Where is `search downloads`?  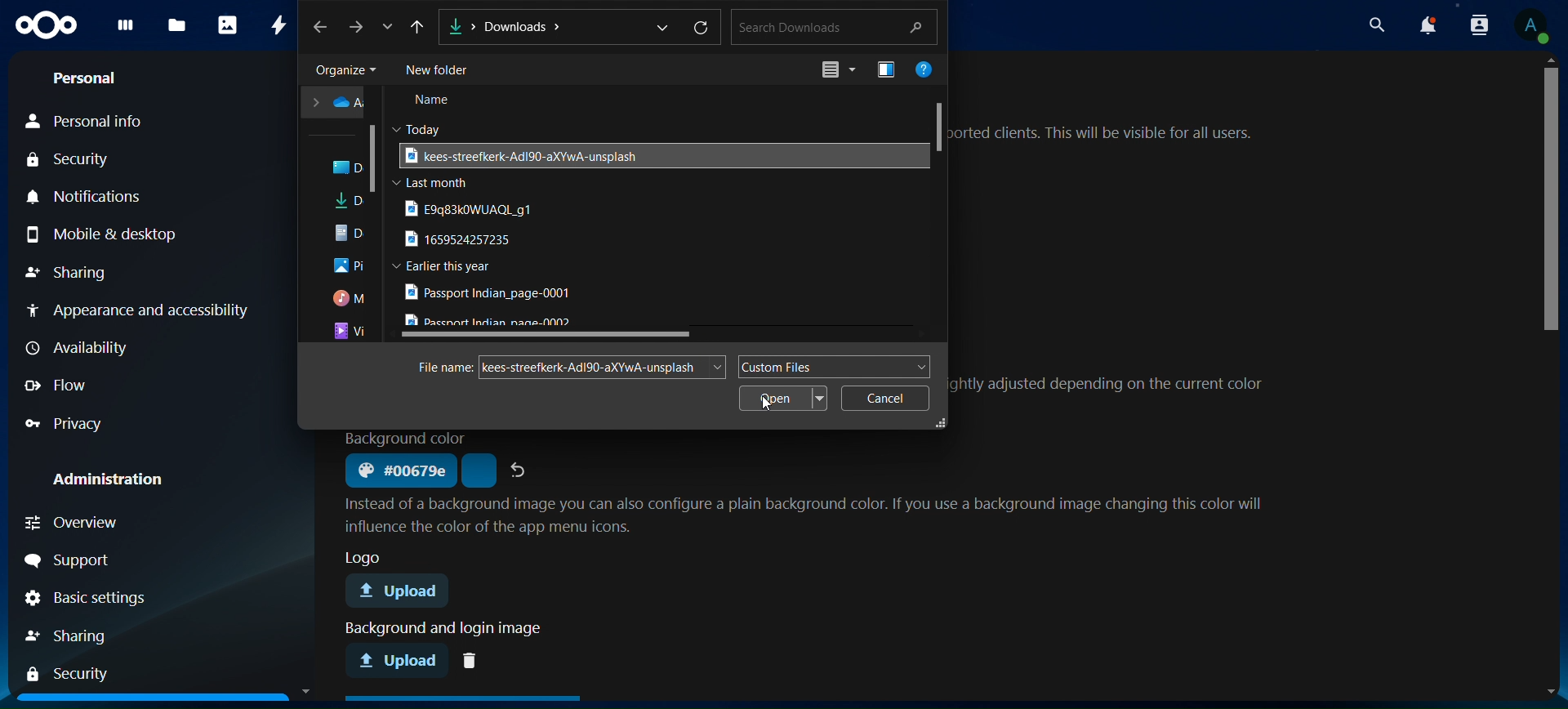 search downloads is located at coordinates (831, 26).